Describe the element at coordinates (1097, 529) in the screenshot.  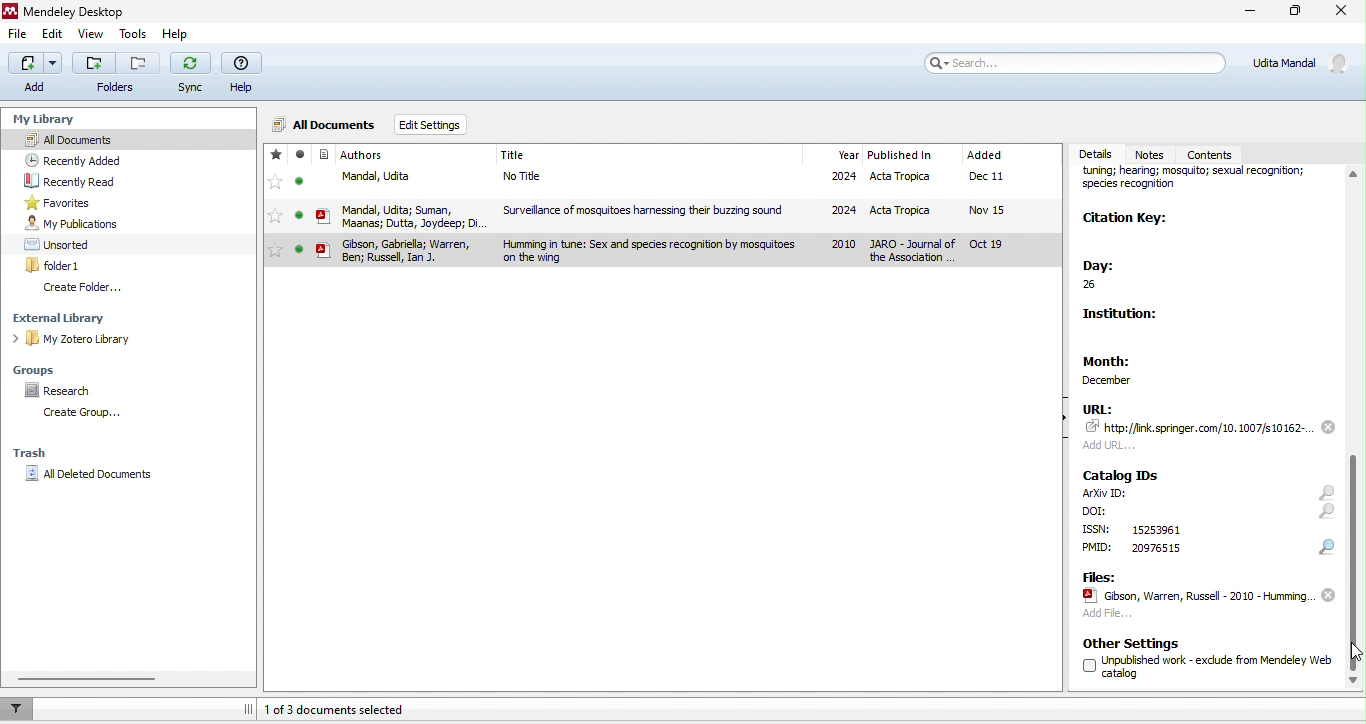
I see `text` at that location.